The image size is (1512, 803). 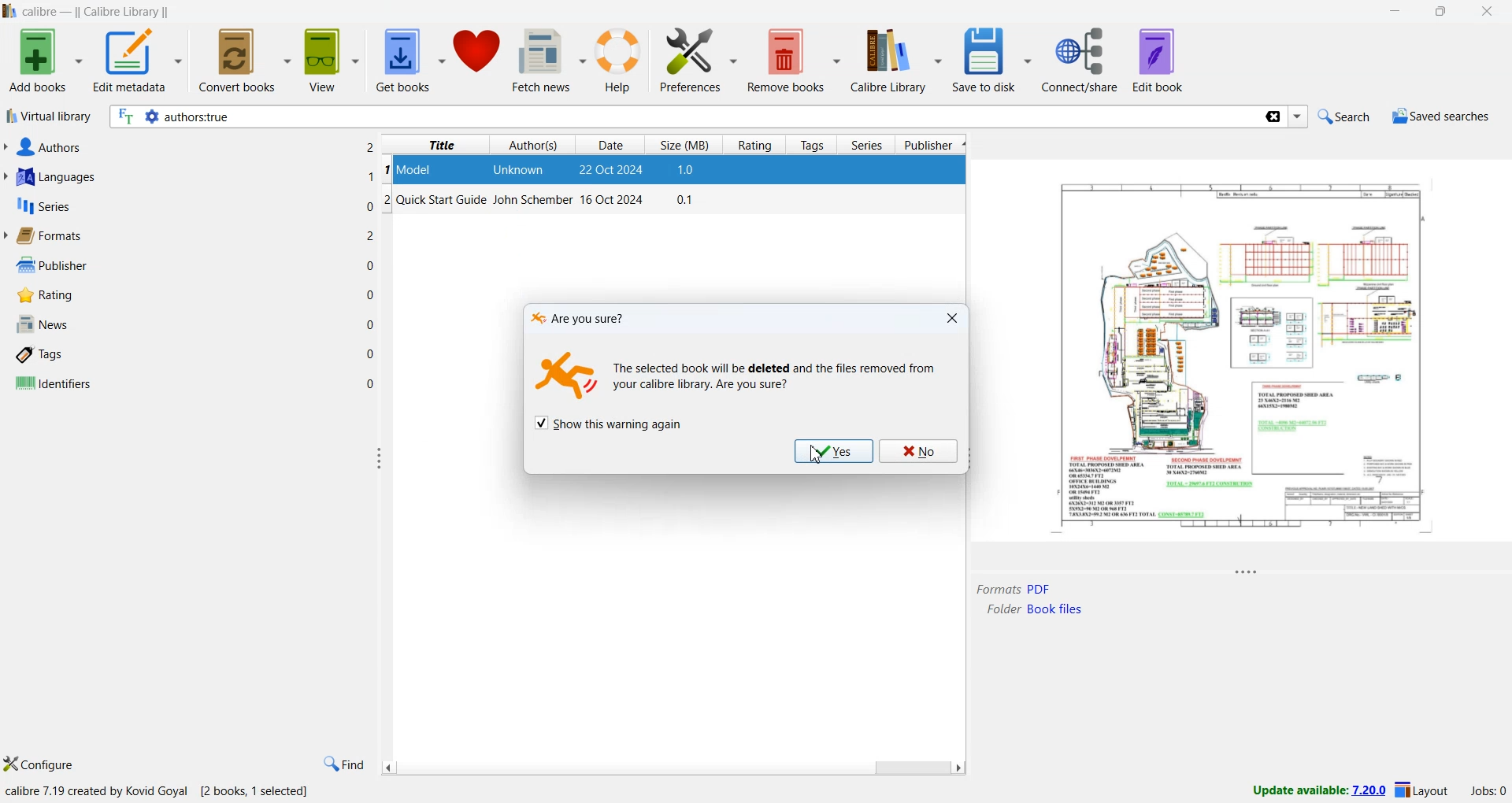 I want to click on close app, so click(x=1489, y=12).